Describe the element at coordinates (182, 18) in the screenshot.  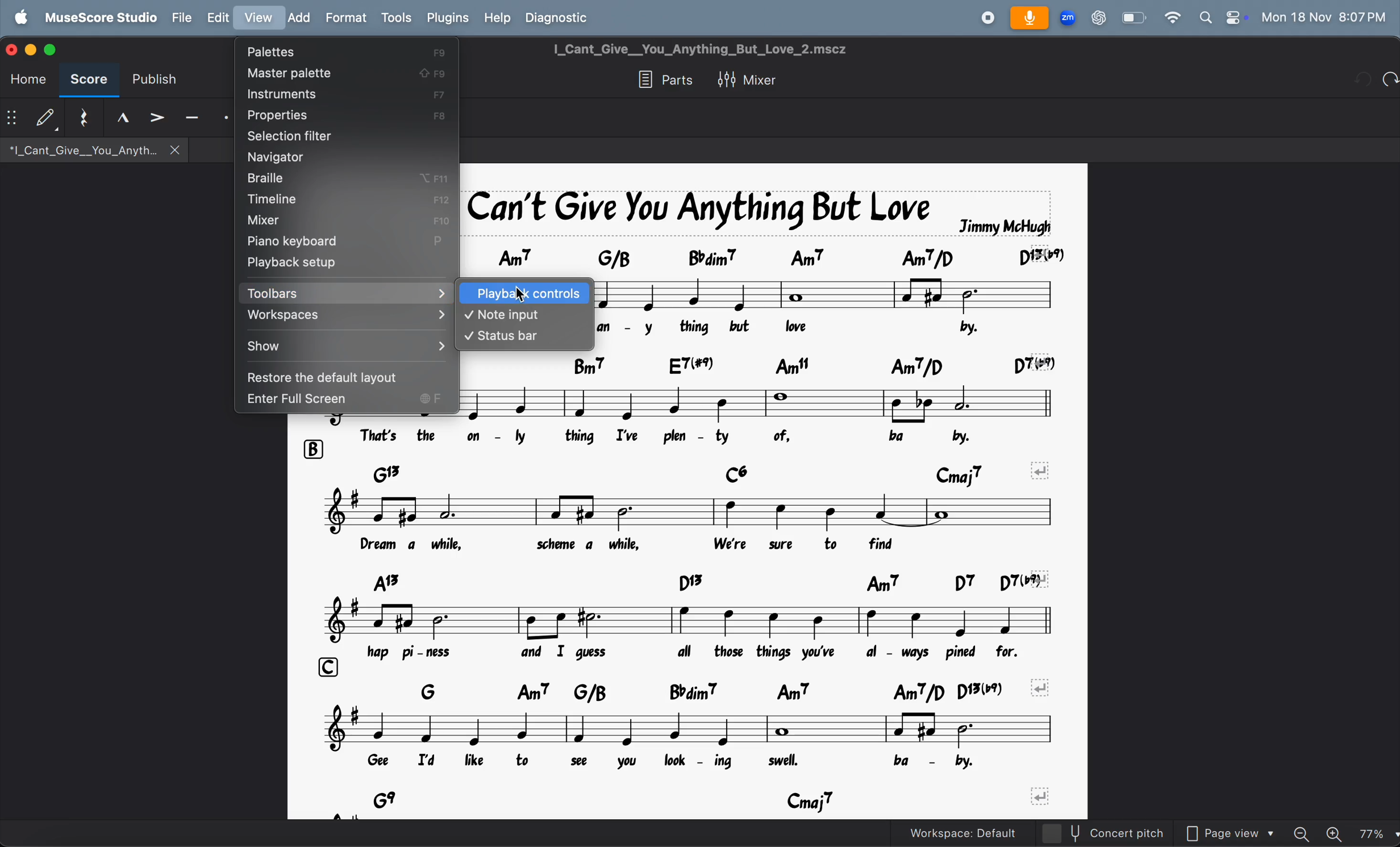
I see `file` at that location.